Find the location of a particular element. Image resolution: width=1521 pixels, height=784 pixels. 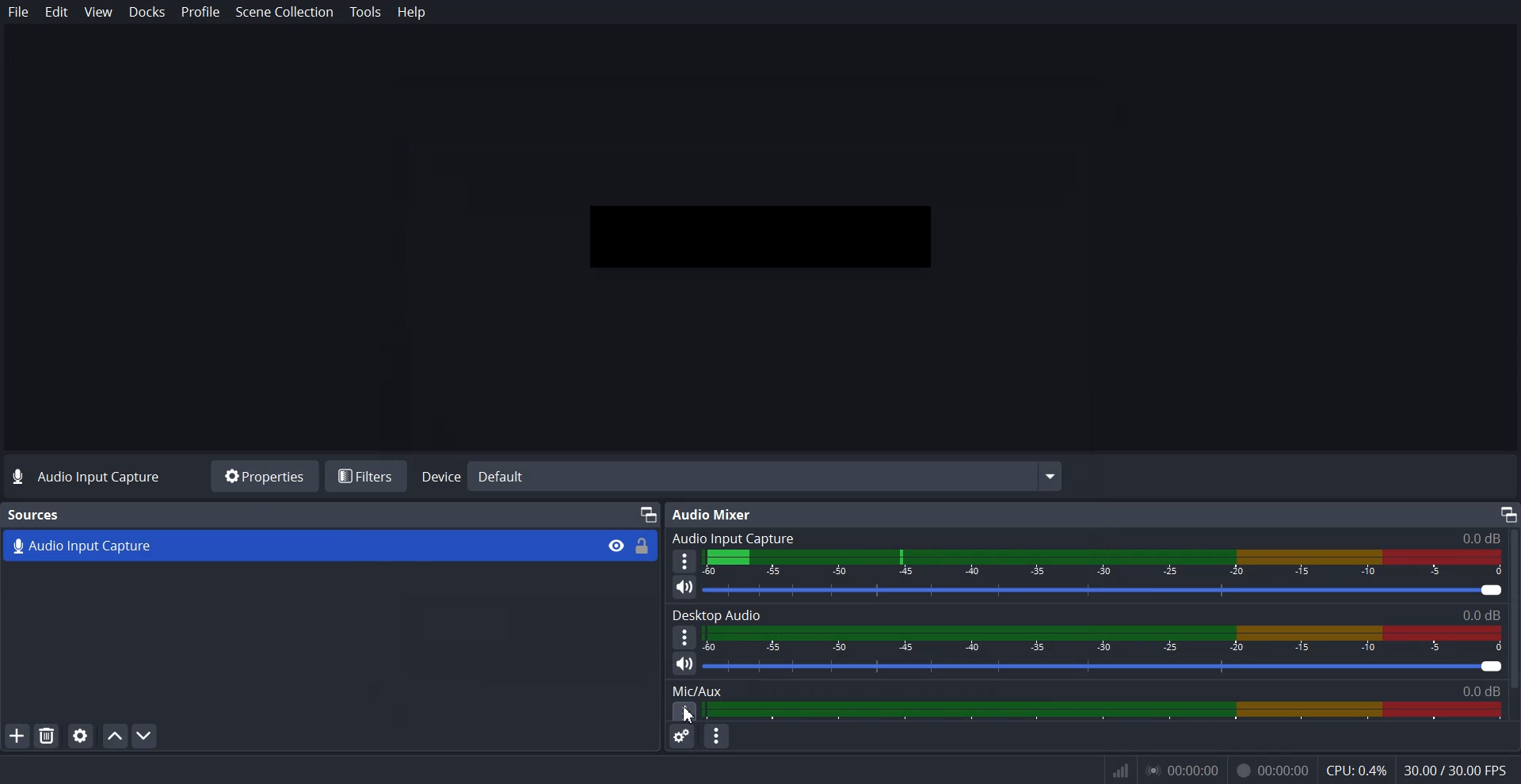

Cursor is located at coordinates (689, 714).